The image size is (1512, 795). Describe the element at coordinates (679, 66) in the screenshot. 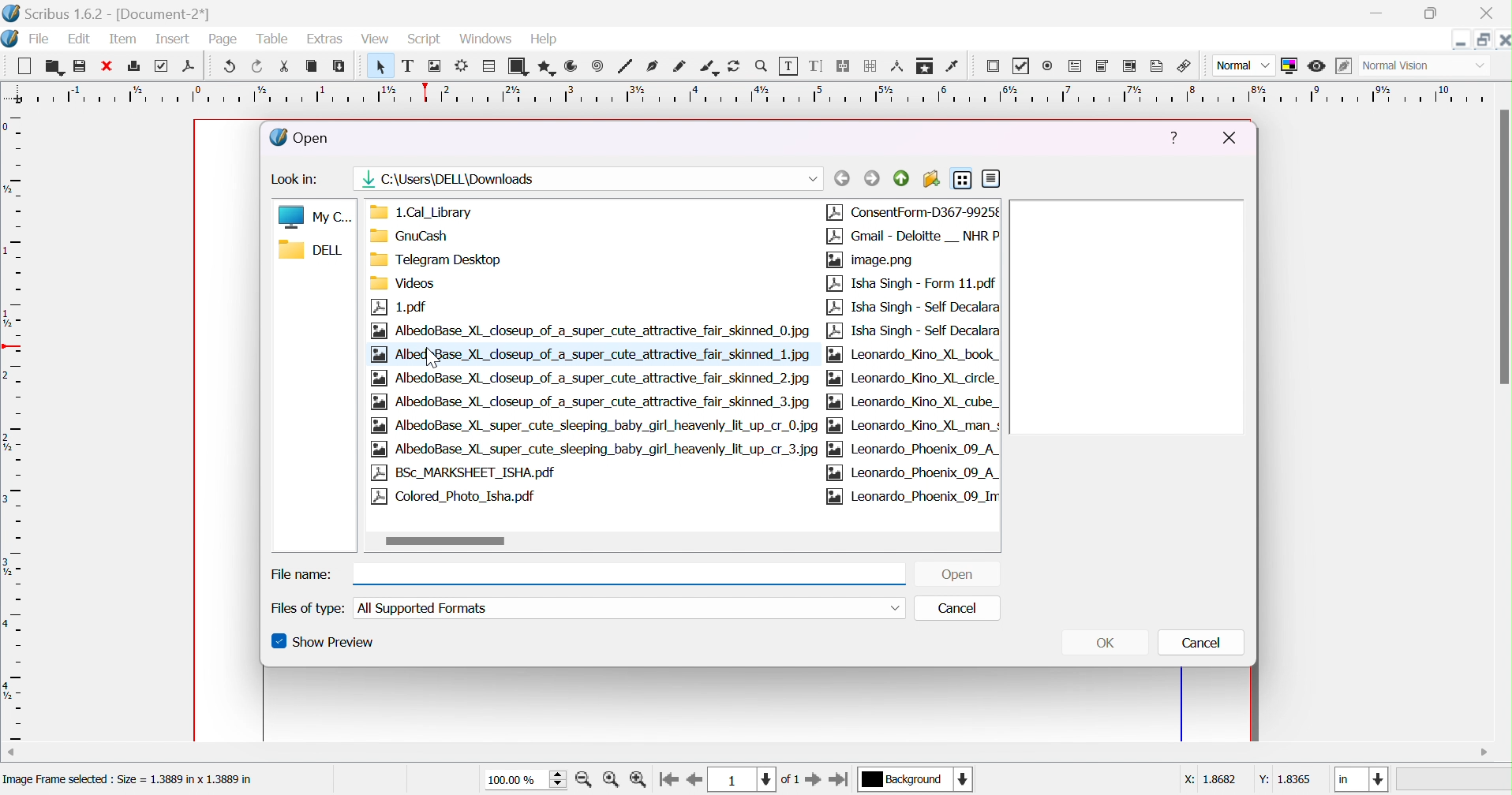

I see `freehand line` at that location.